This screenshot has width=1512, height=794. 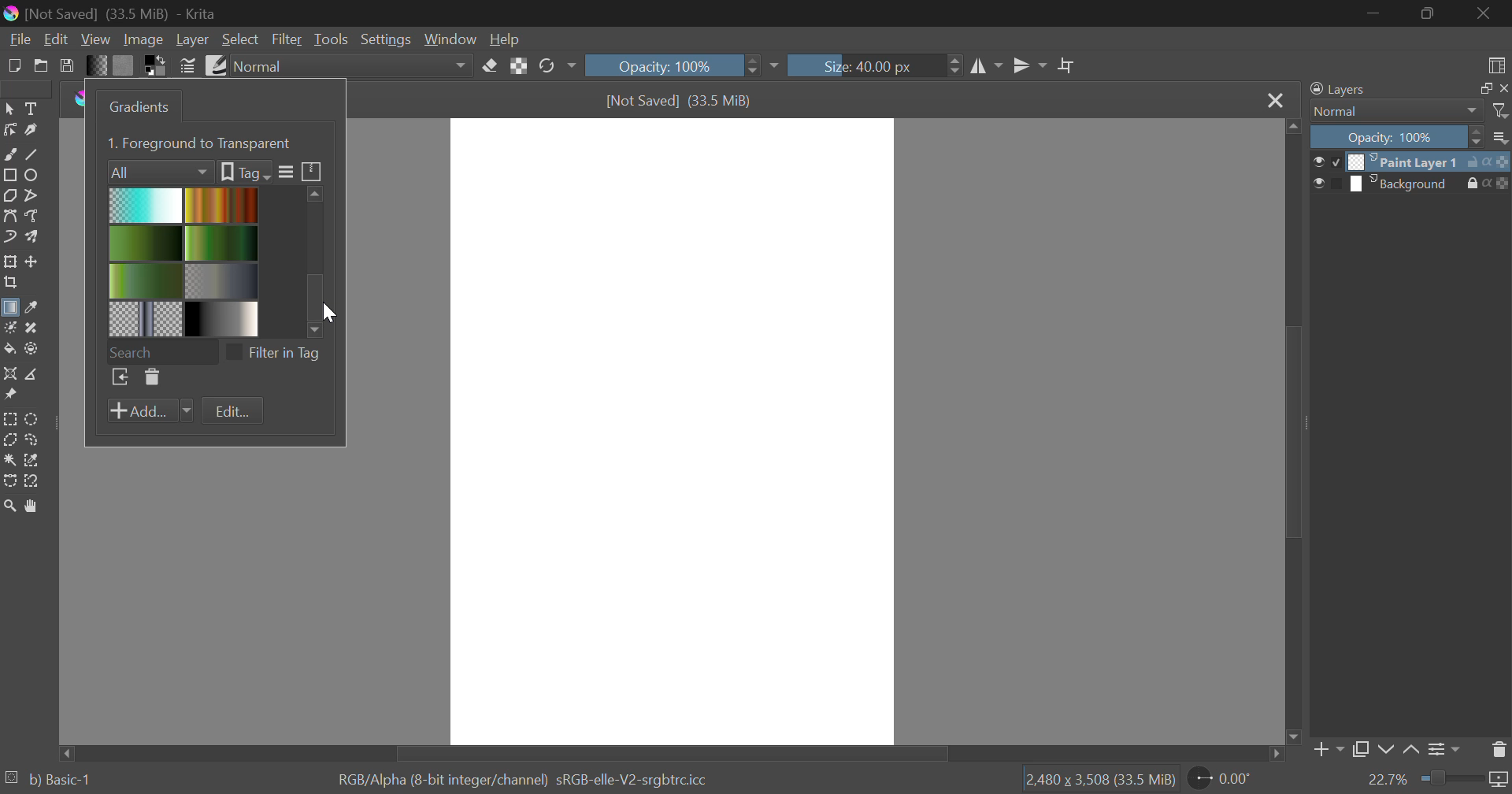 I want to click on more options, so click(x=1501, y=137).